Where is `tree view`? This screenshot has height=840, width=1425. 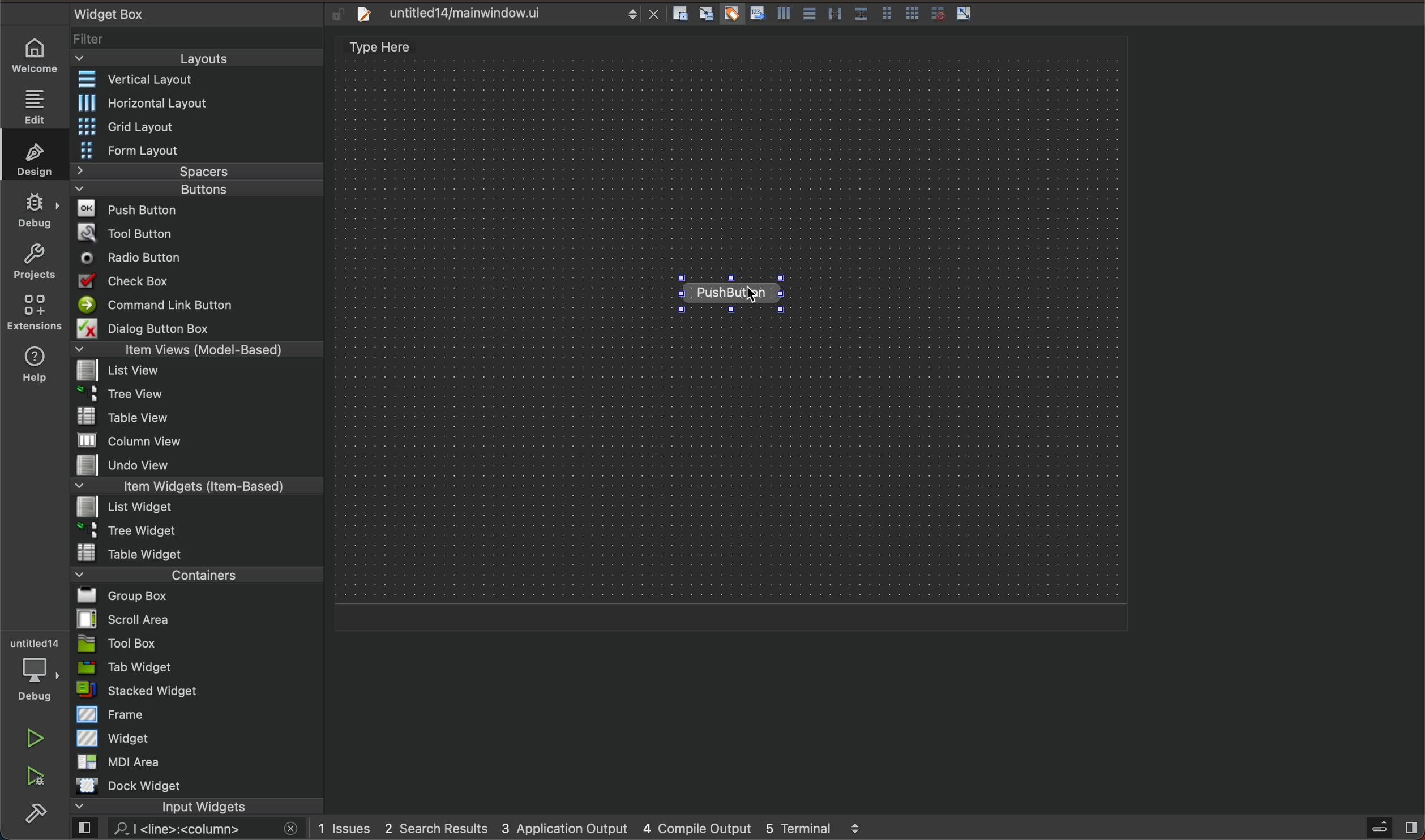
tree view is located at coordinates (203, 396).